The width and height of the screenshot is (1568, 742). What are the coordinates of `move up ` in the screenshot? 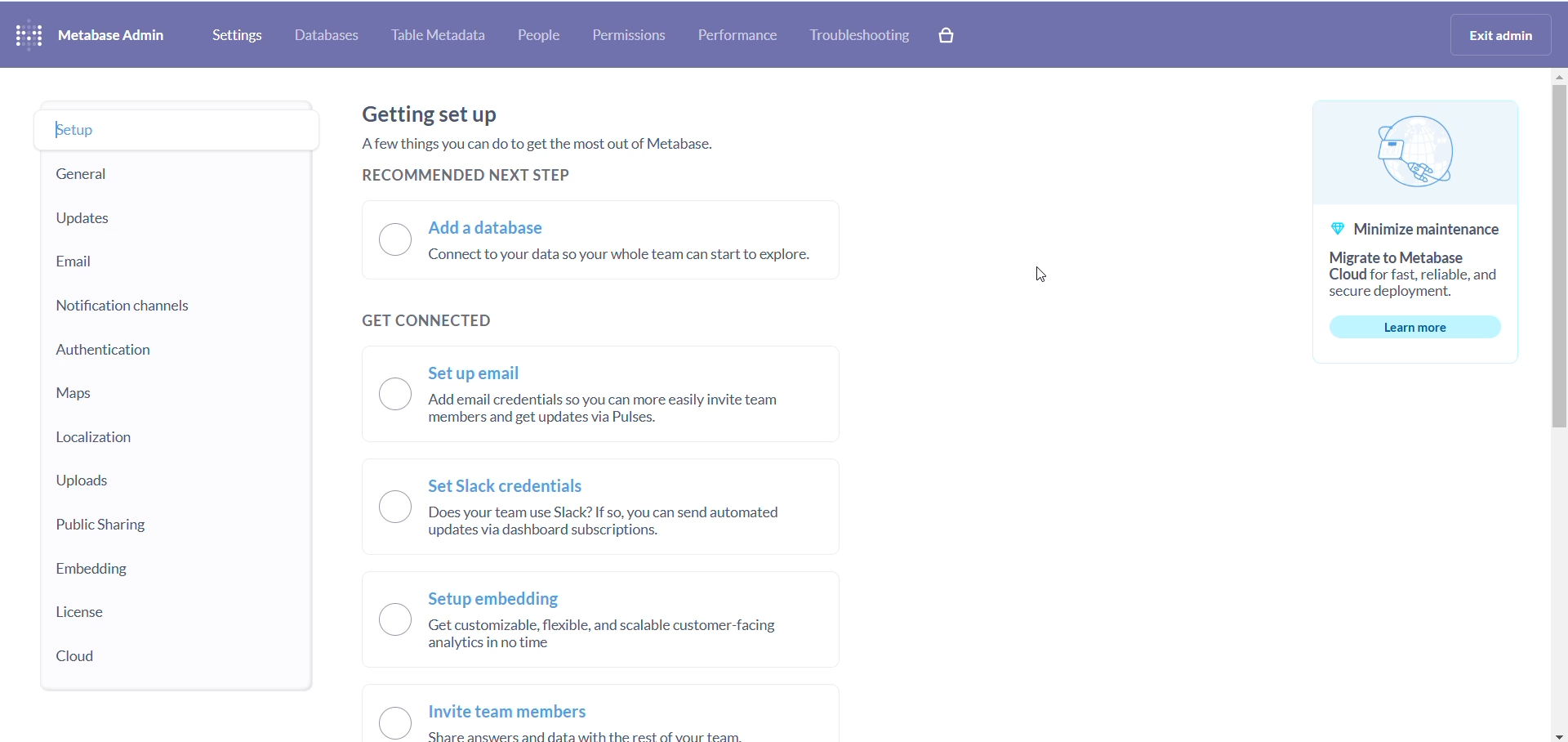 It's located at (1558, 78).